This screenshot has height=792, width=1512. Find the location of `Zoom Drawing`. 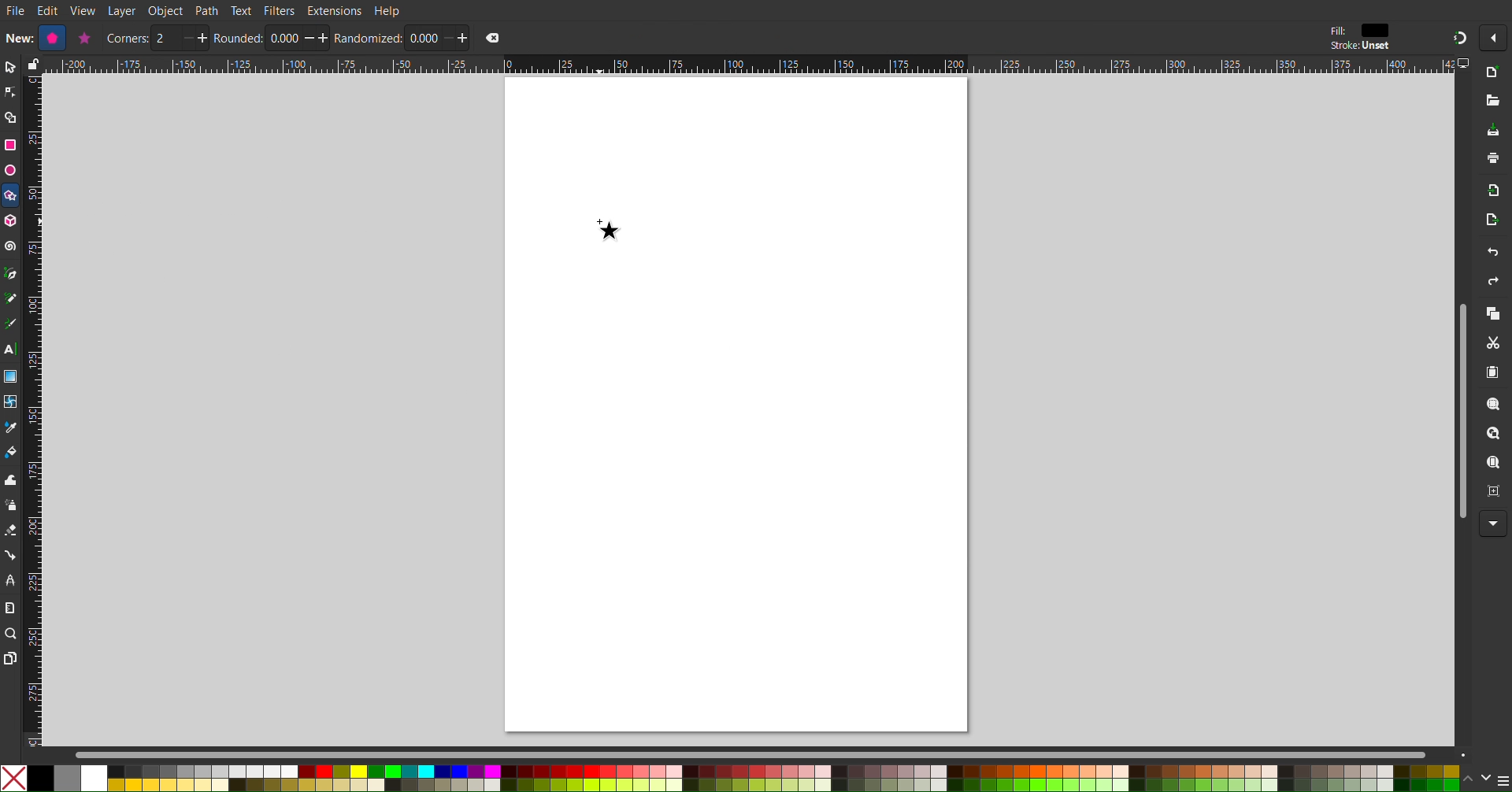

Zoom Drawing is located at coordinates (1495, 435).